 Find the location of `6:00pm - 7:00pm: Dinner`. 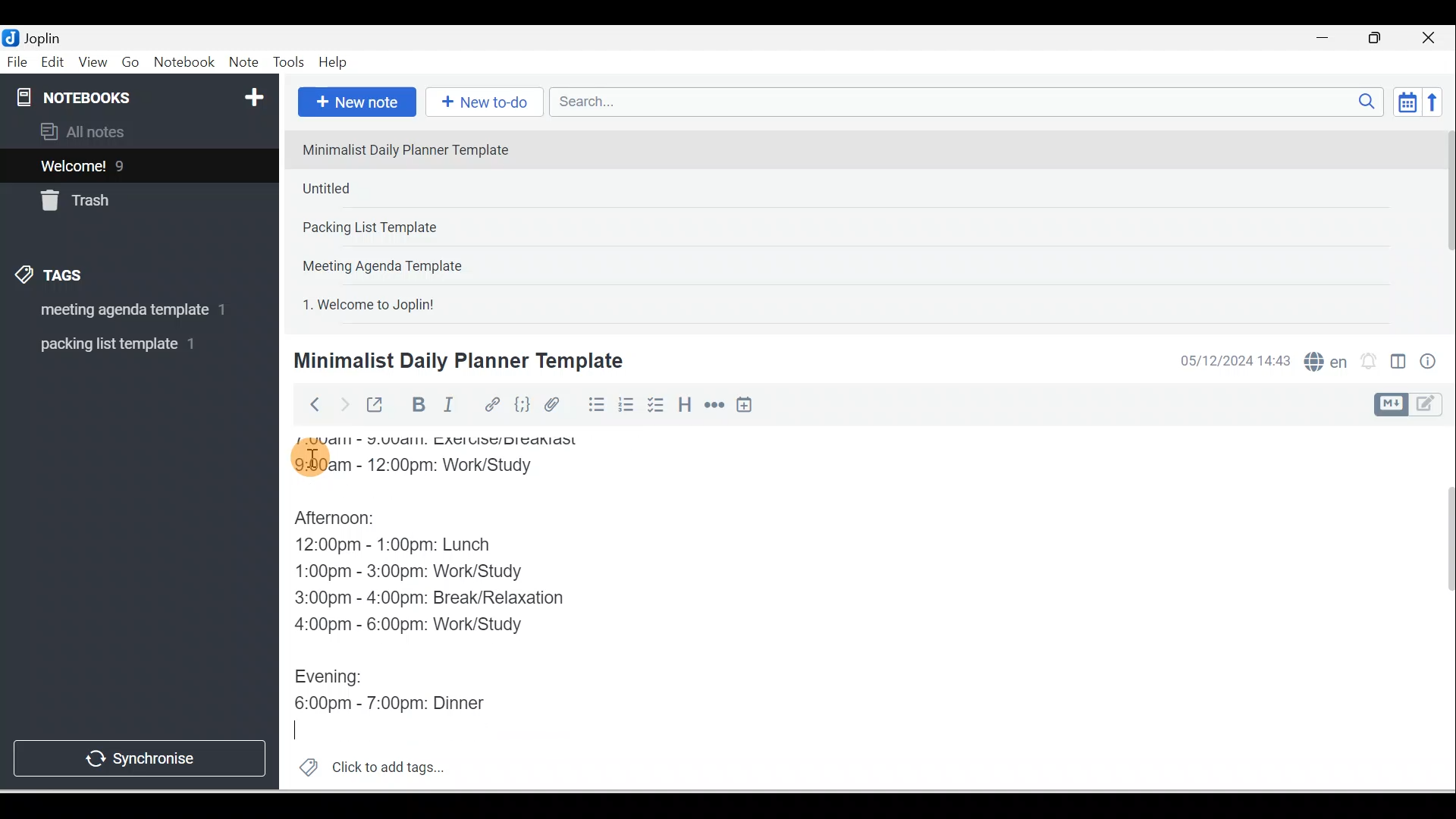

6:00pm - 7:00pm: Dinner is located at coordinates (403, 703).